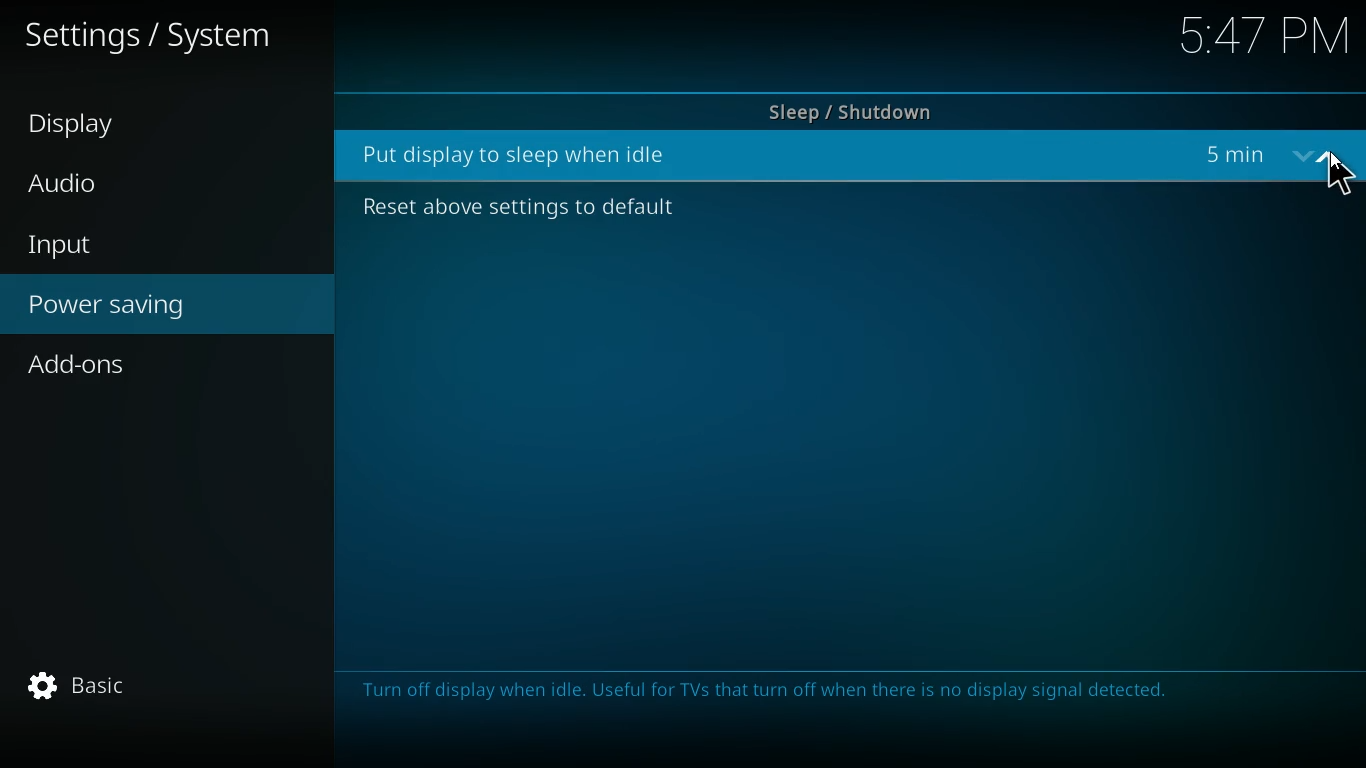  Describe the element at coordinates (1260, 39) in the screenshot. I see `time` at that location.